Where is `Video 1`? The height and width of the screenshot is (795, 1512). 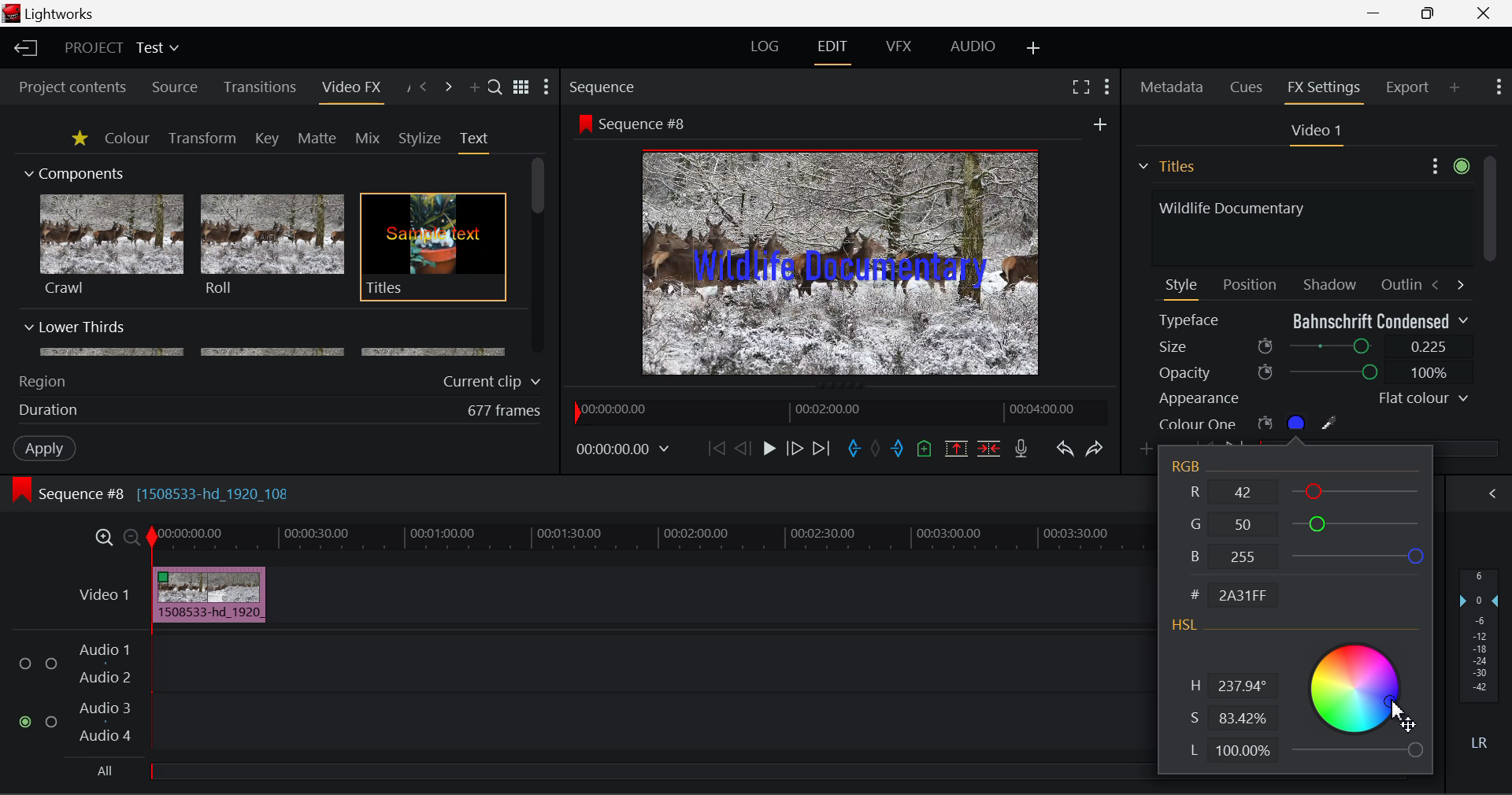 Video 1 is located at coordinates (1314, 131).